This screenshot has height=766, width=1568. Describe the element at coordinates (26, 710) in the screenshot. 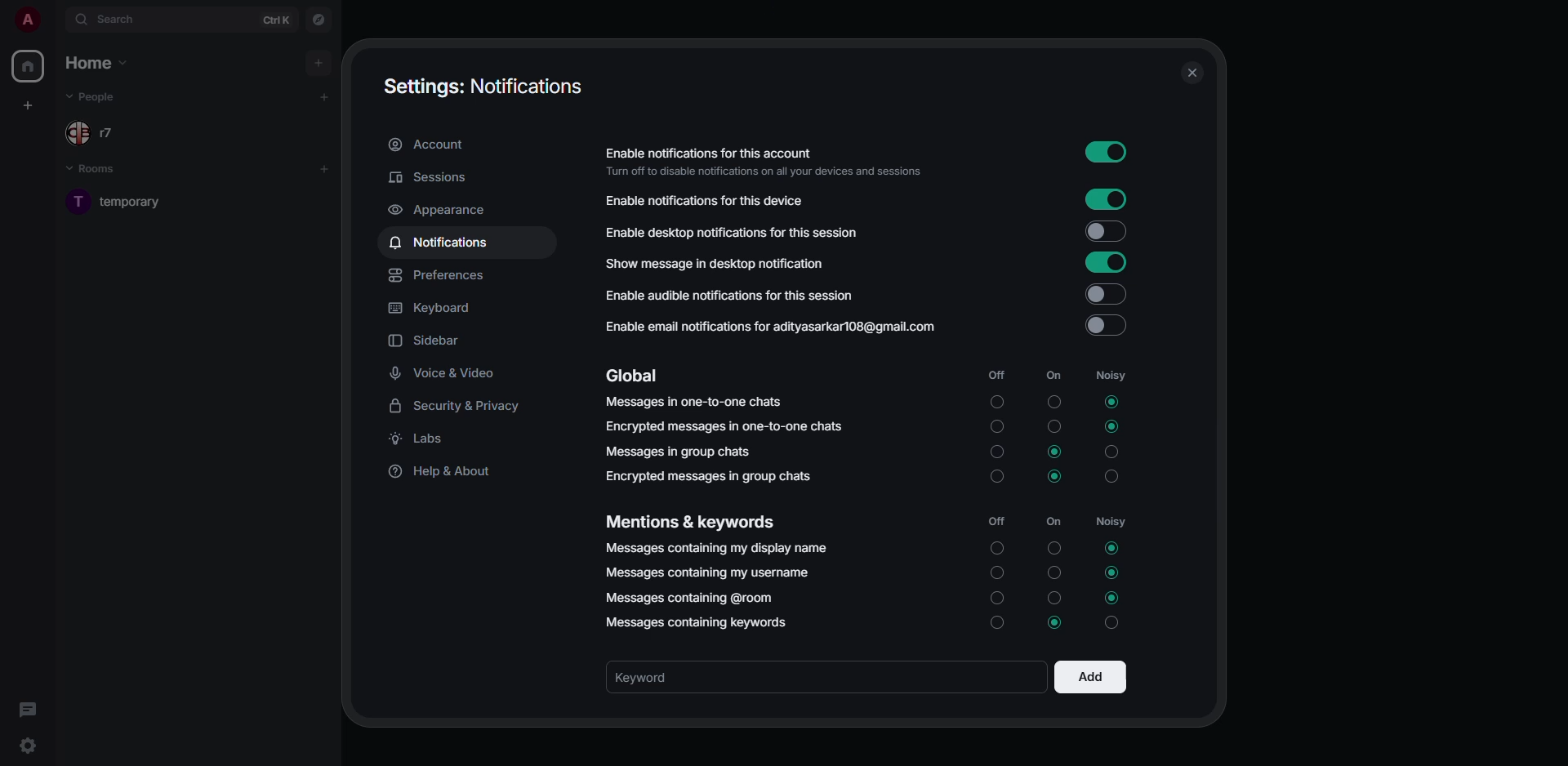

I see `threads` at that location.